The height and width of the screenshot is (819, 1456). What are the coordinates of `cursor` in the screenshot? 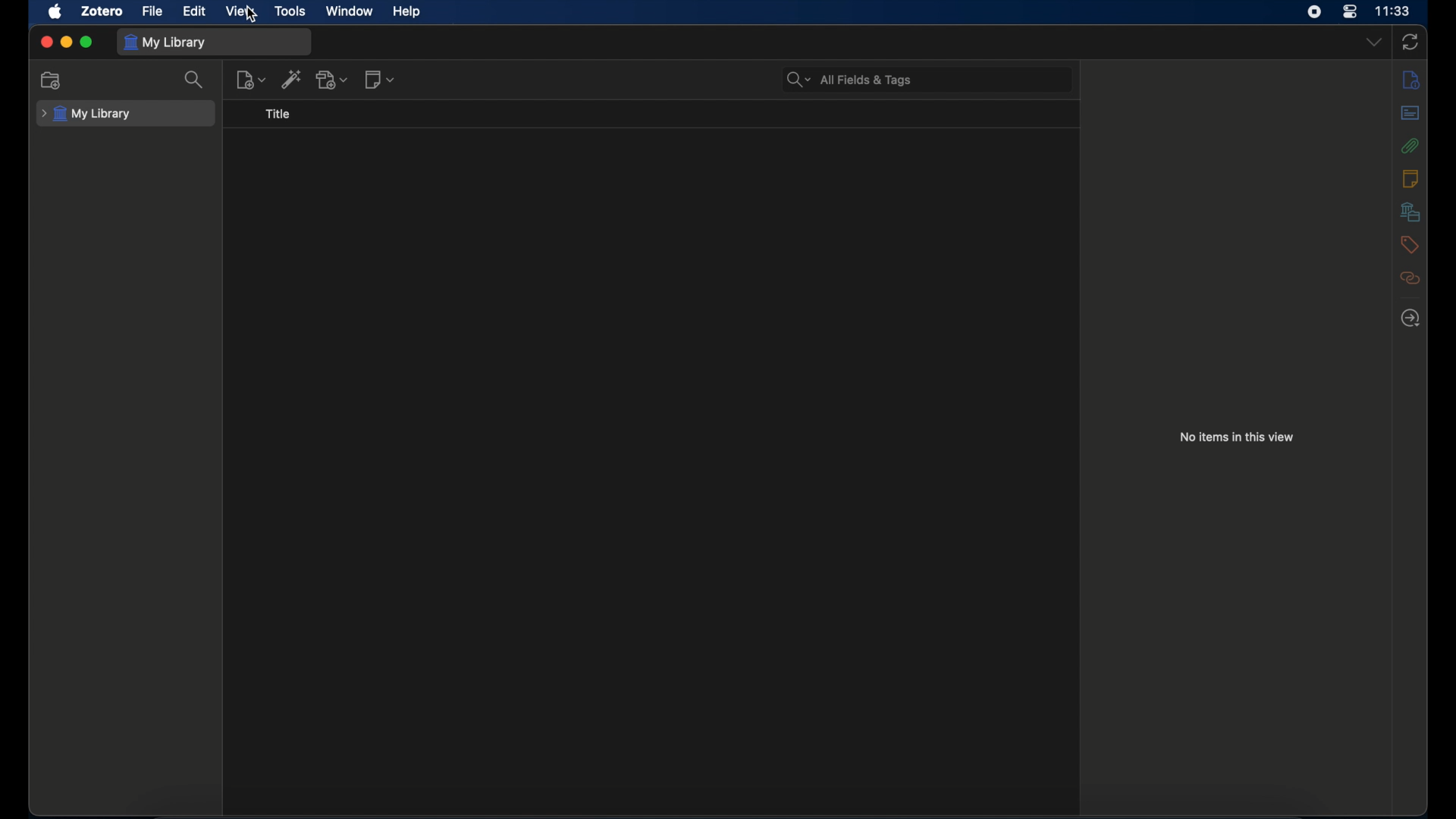 It's located at (253, 14).